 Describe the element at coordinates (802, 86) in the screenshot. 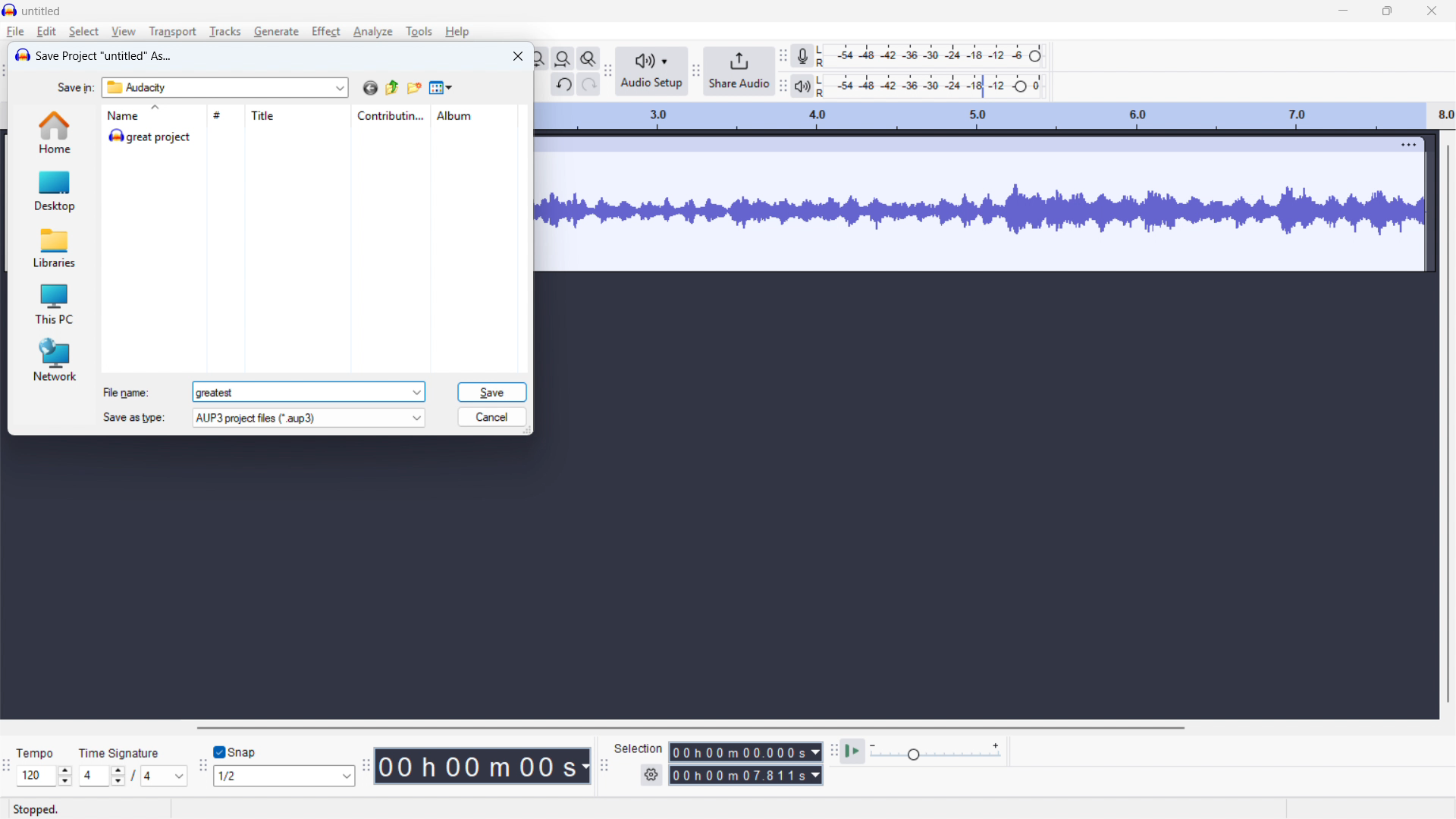

I see `playback metre` at that location.